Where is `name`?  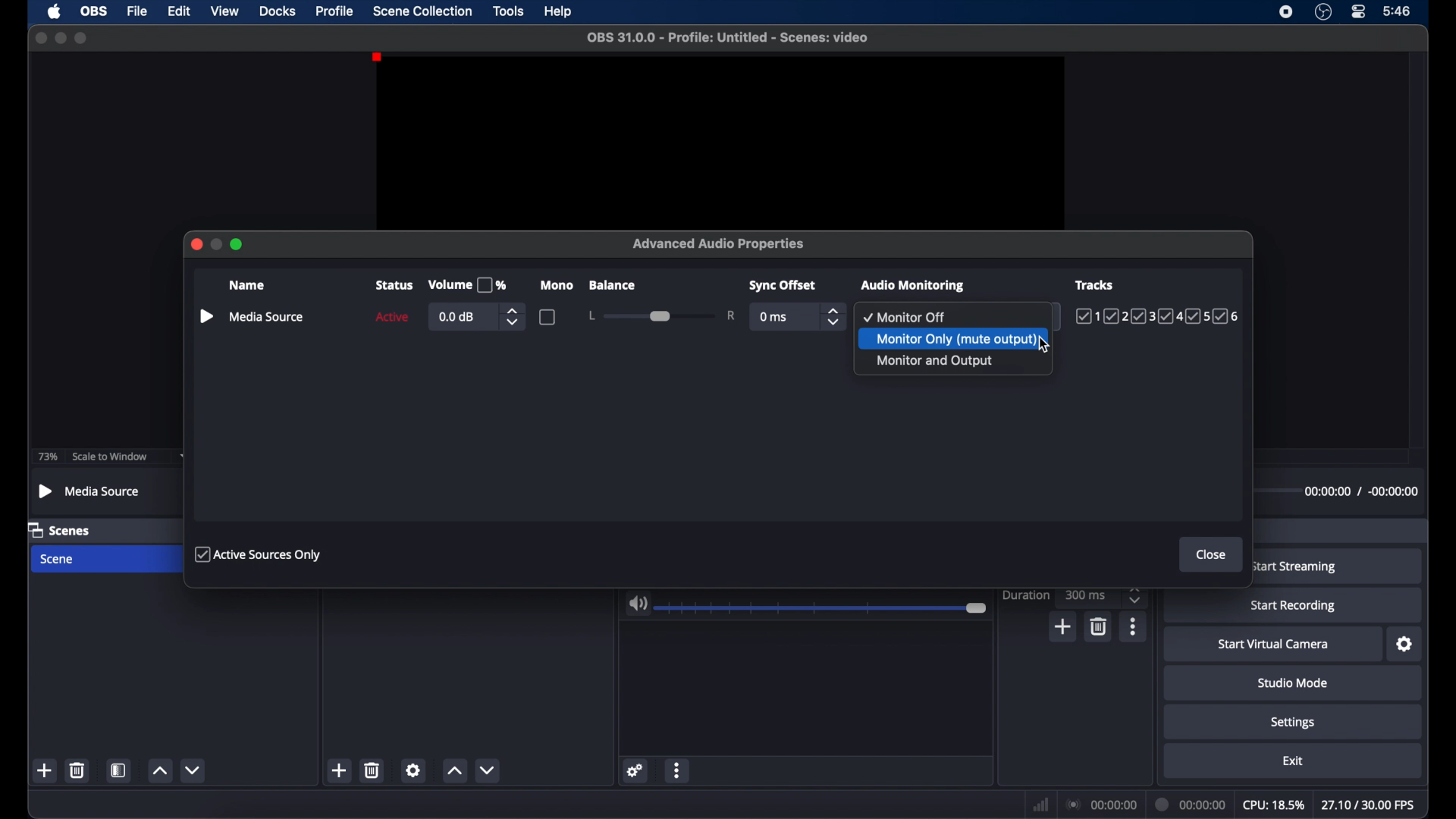 name is located at coordinates (249, 286).